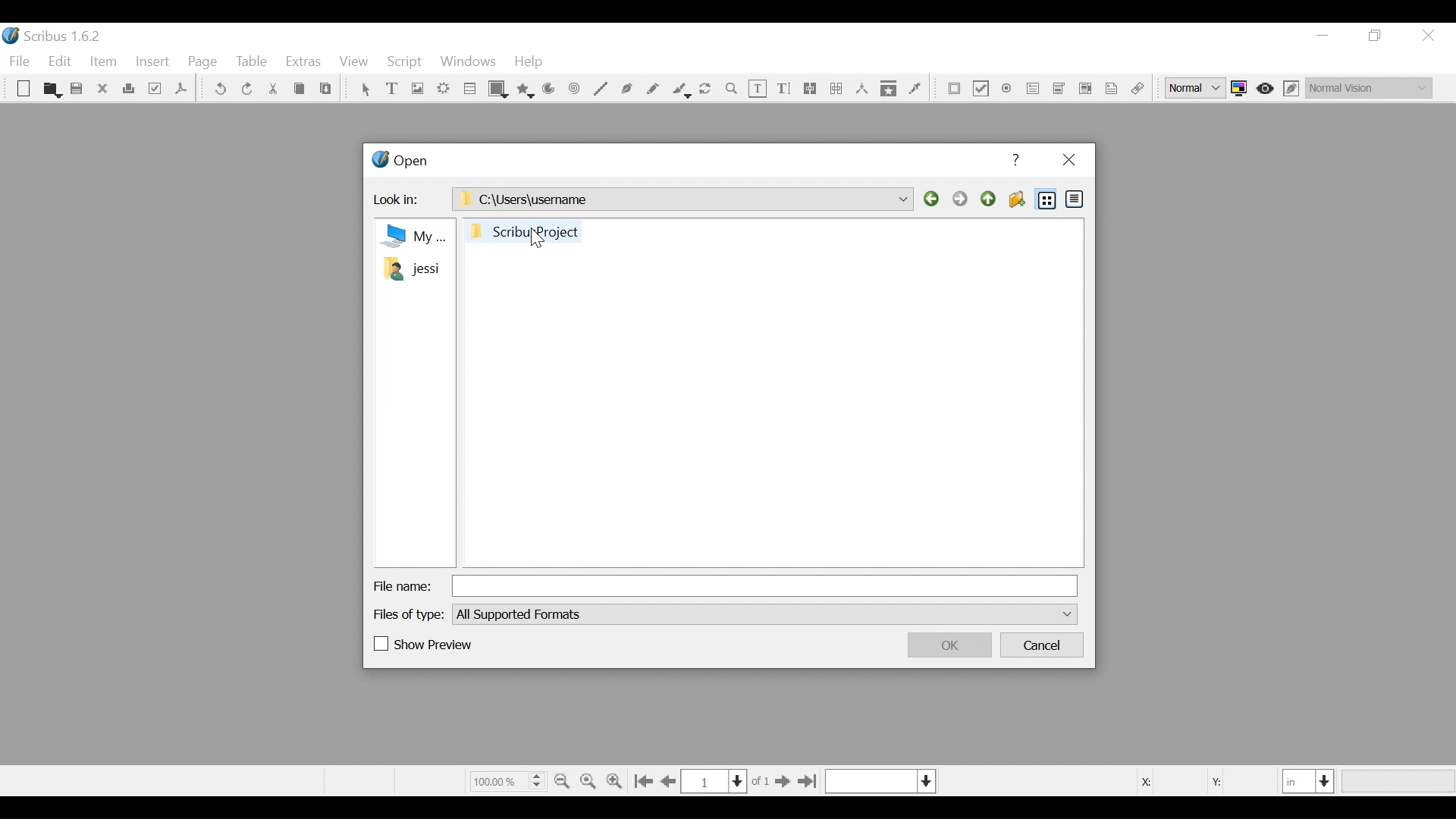 The height and width of the screenshot is (819, 1456). I want to click on Redo, so click(246, 88).